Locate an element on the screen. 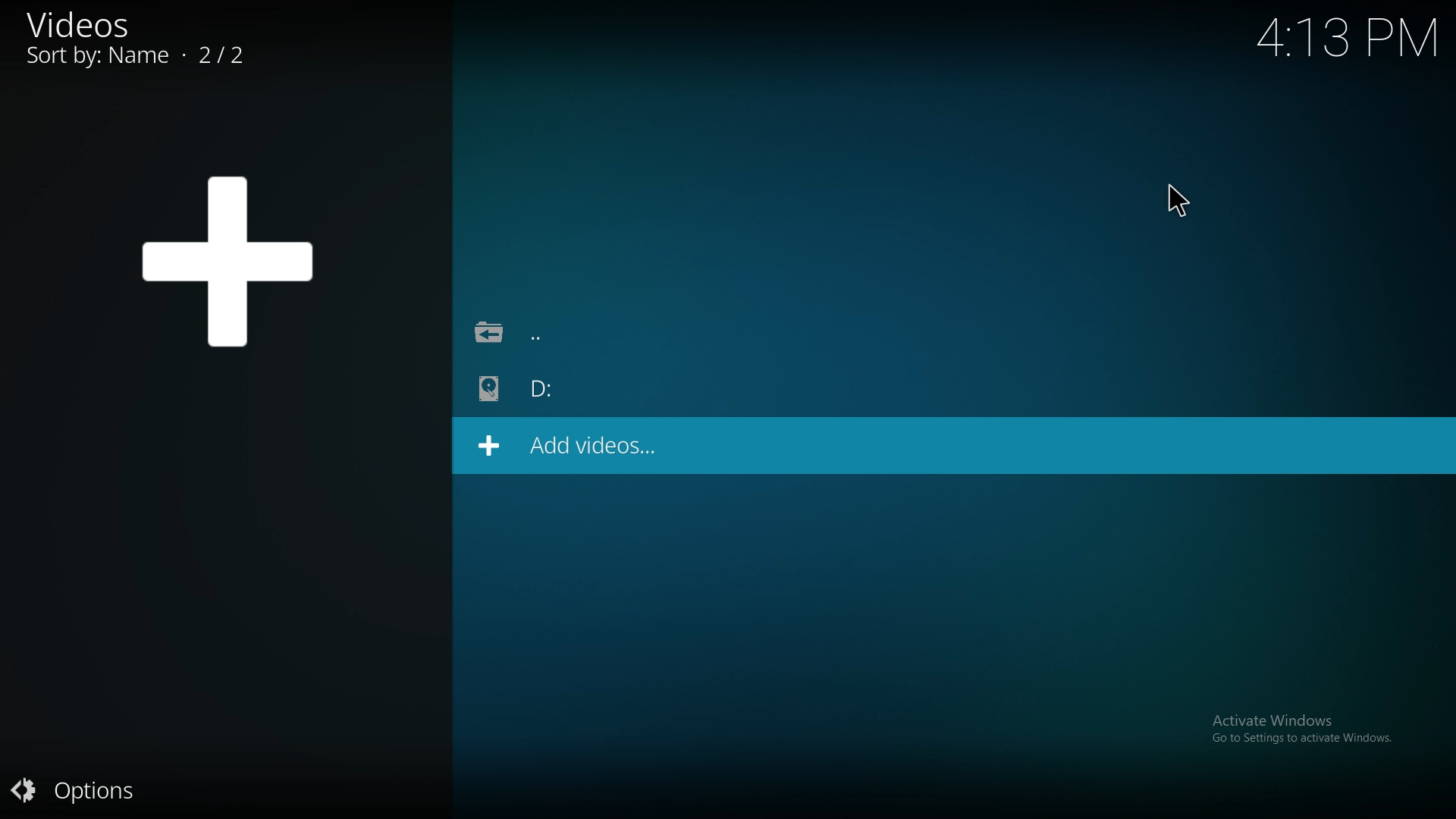 Image resolution: width=1456 pixels, height=819 pixels. videos is located at coordinates (153, 37).